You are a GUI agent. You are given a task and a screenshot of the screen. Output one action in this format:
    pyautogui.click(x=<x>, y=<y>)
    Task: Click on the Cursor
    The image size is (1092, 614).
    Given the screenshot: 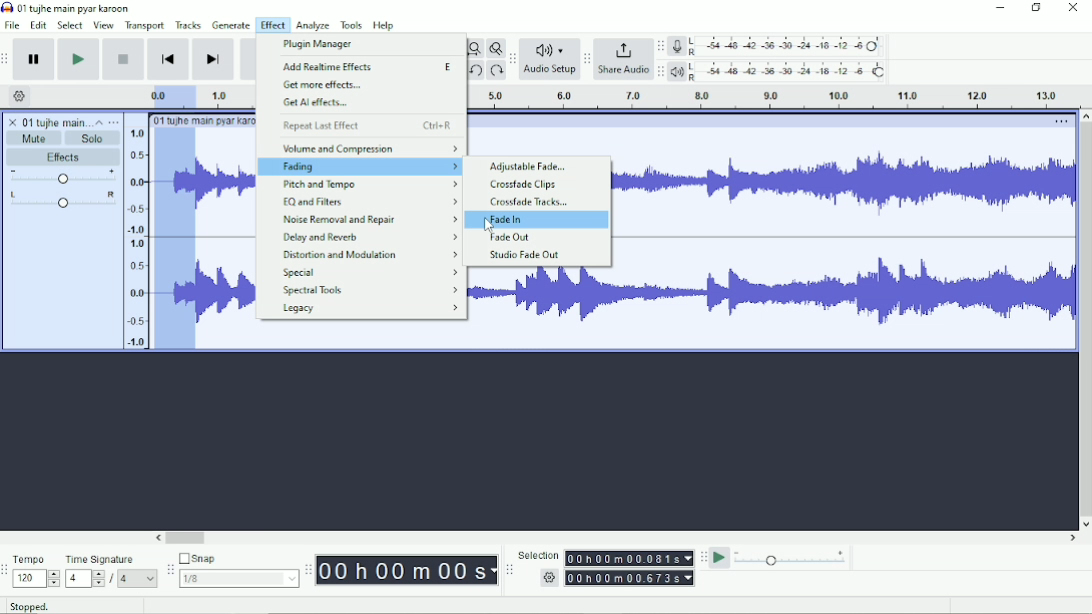 What is the action you would take?
    pyautogui.click(x=489, y=226)
    